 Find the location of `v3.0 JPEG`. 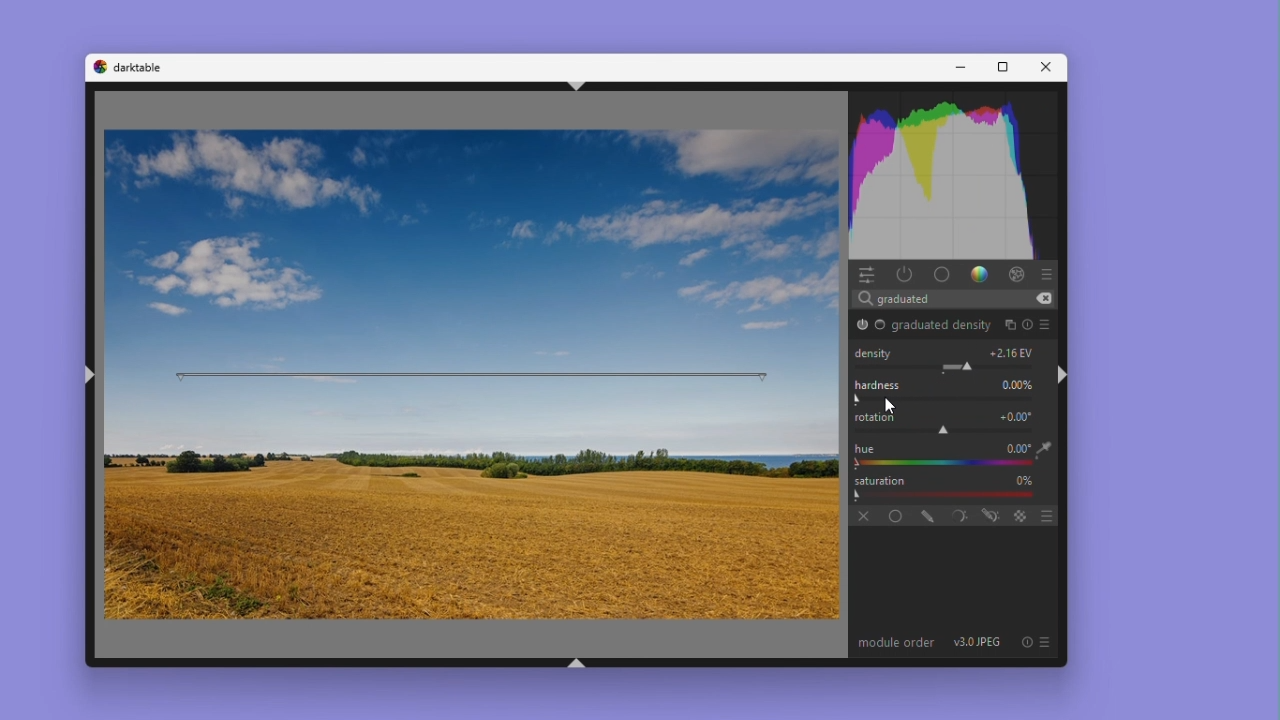

v3.0 JPEG is located at coordinates (979, 643).